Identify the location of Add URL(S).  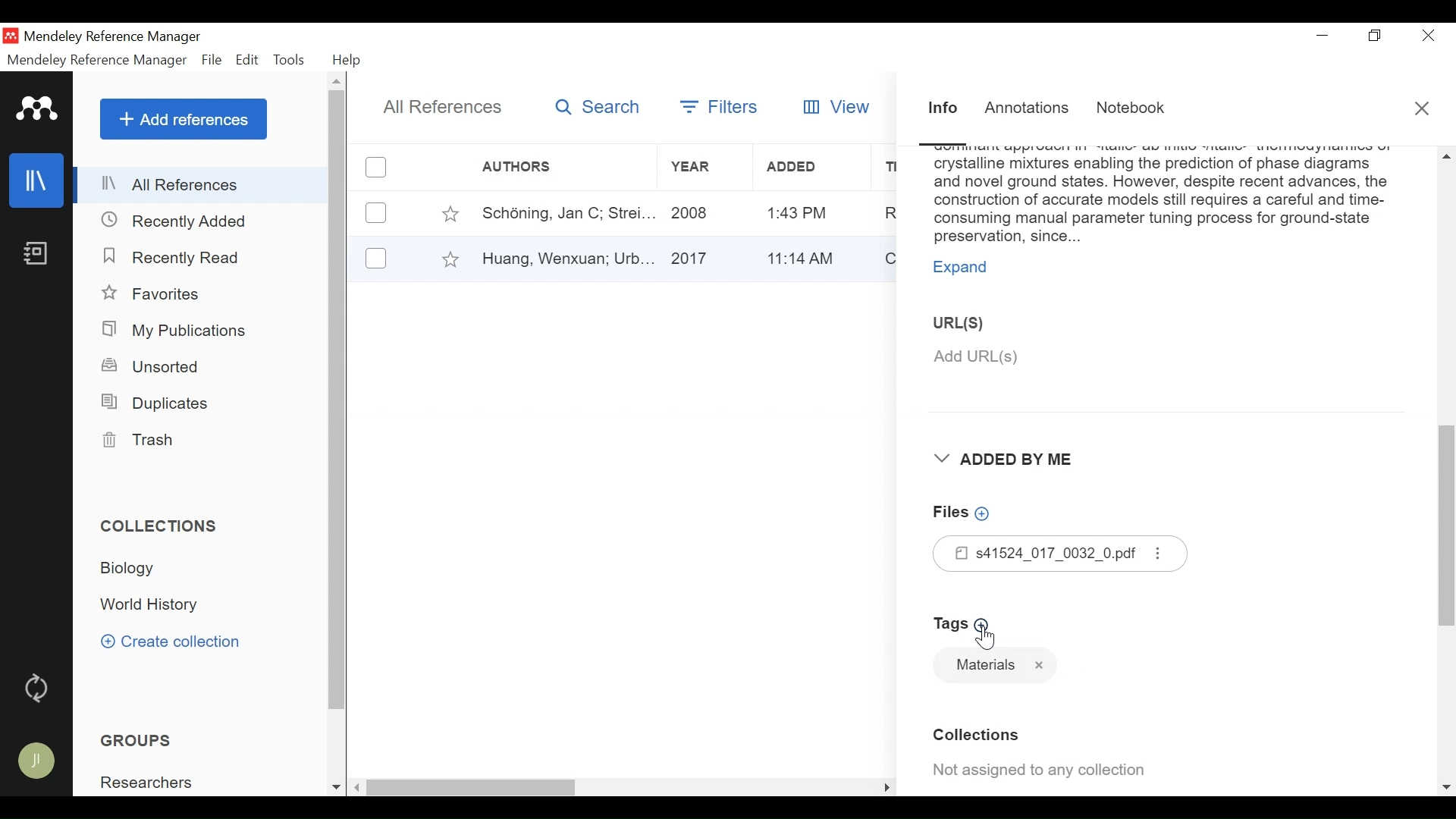
(1064, 357).